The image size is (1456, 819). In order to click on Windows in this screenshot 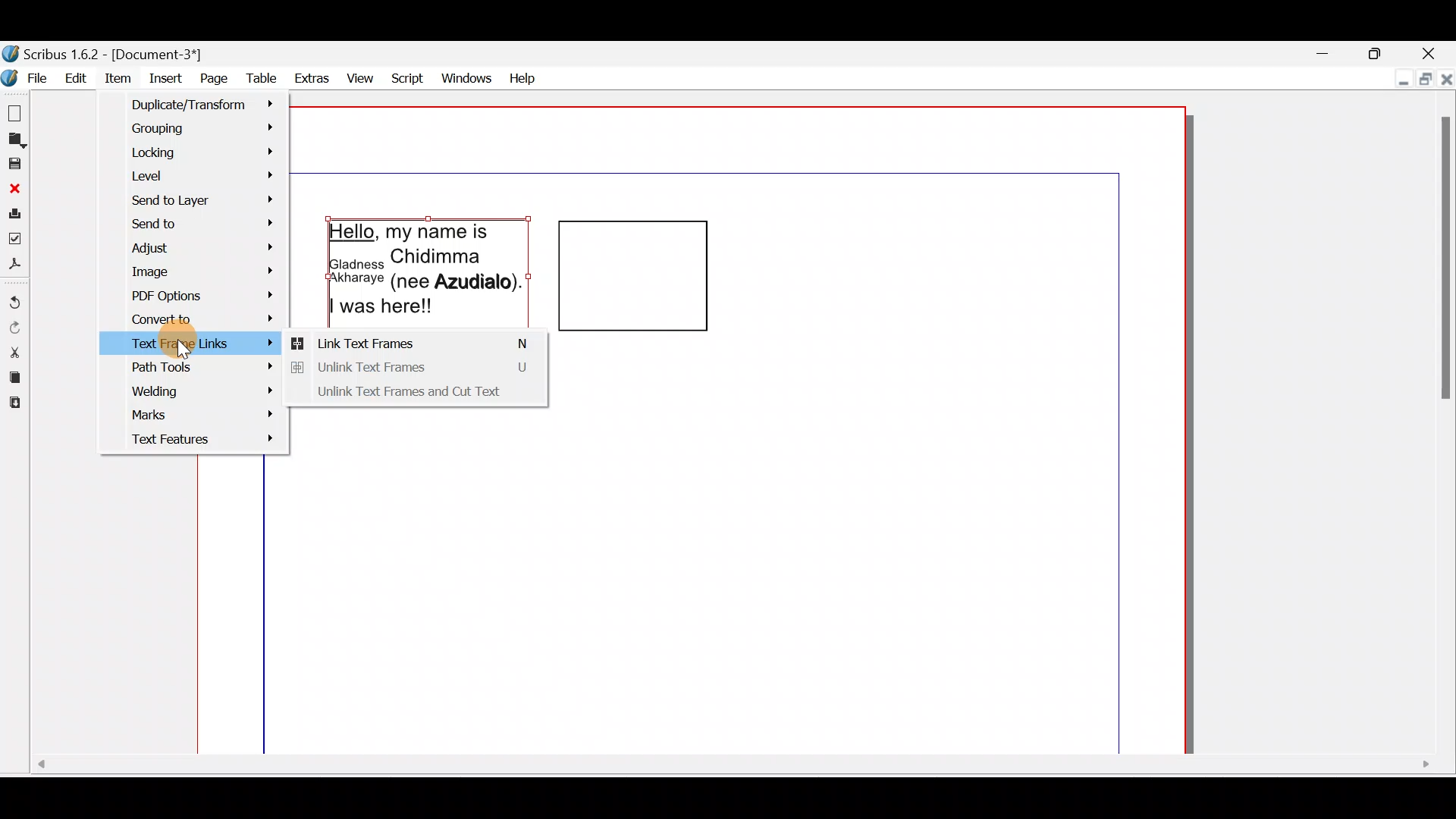, I will do `click(467, 77)`.